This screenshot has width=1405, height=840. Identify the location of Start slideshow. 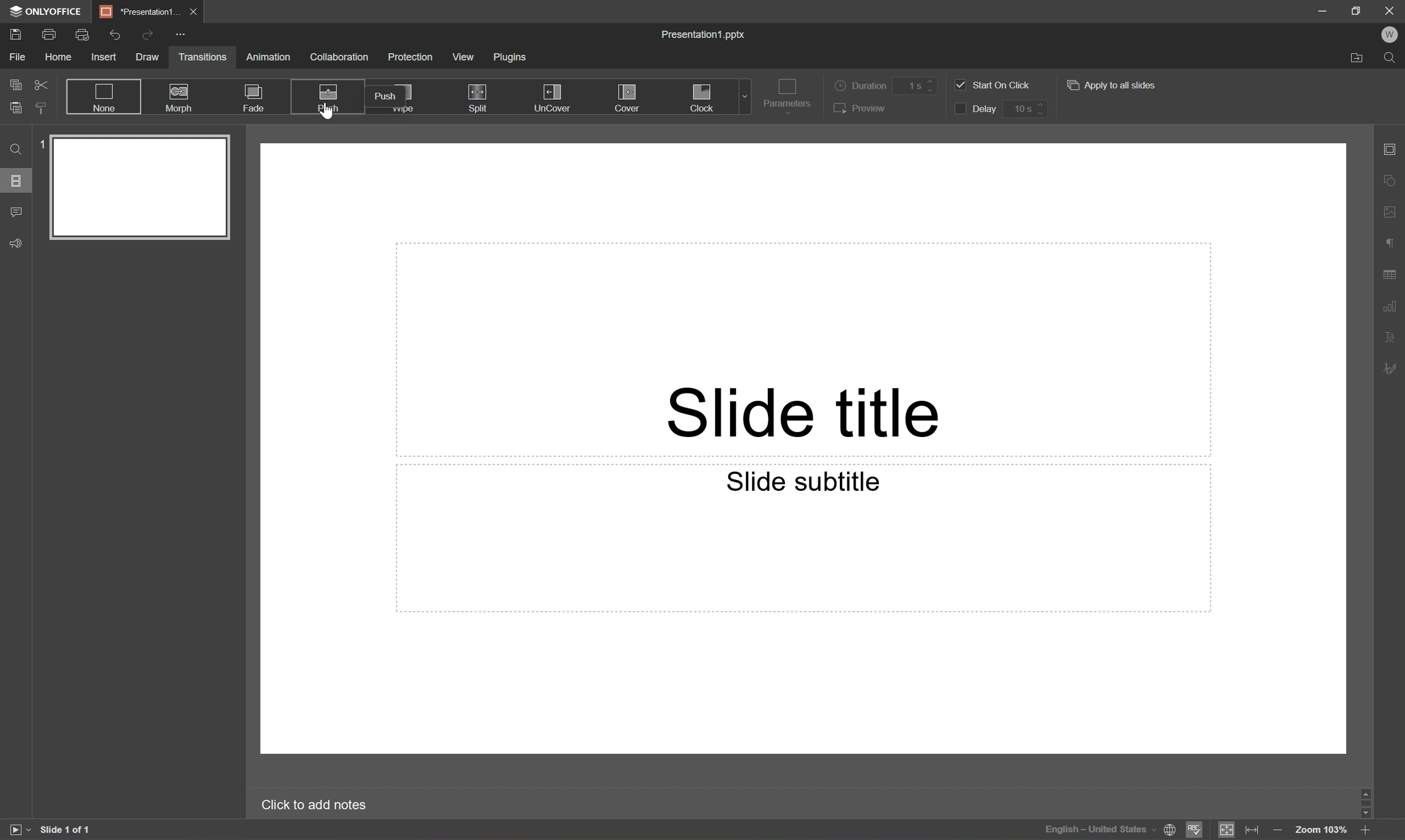
(20, 829).